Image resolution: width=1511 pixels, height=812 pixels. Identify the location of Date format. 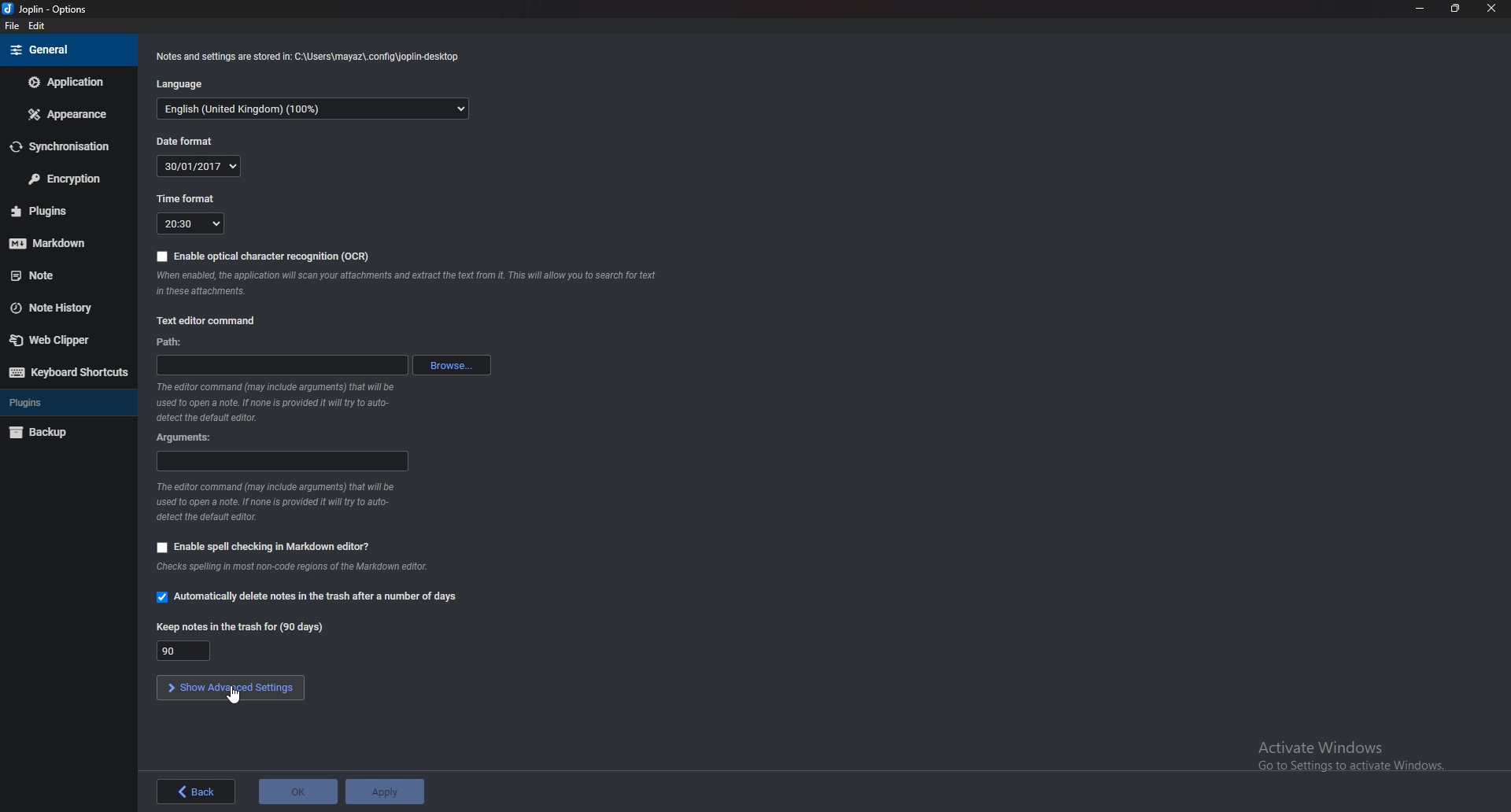
(190, 142).